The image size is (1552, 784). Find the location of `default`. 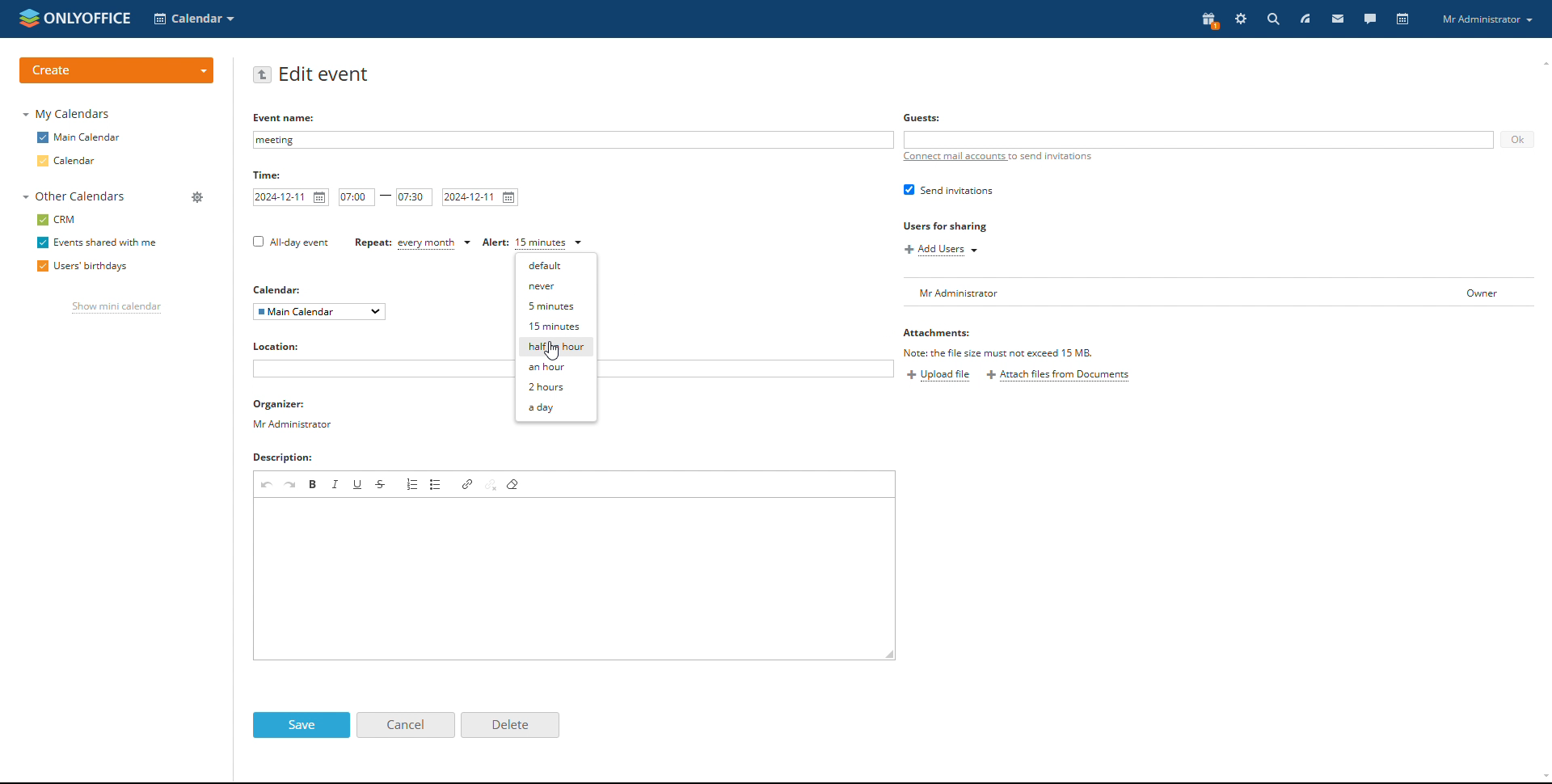

default is located at coordinates (555, 266).